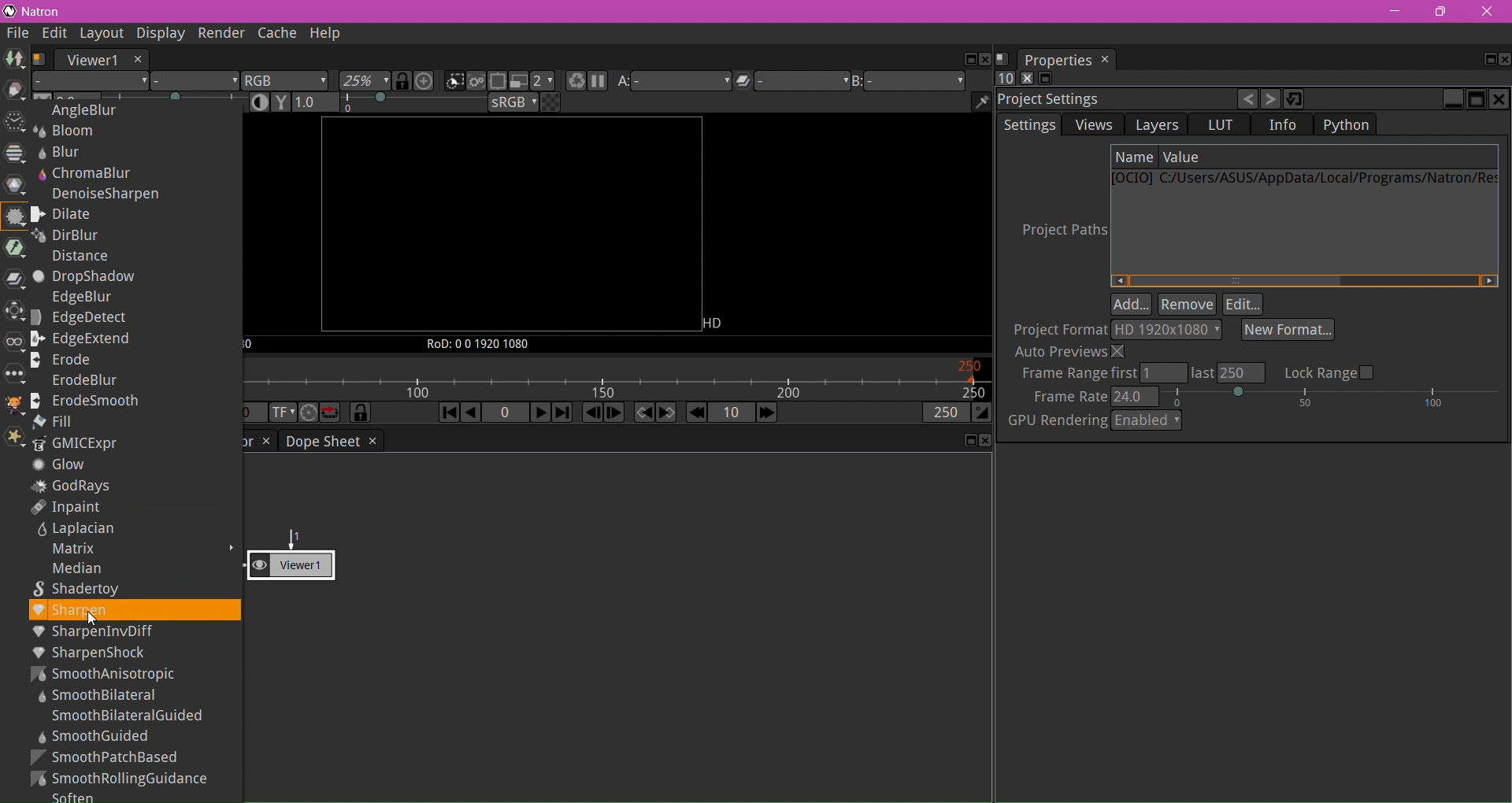 The image size is (1512, 803). Describe the element at coordinates (123, 779) in the screenshot. I see `SmoothRollingGuidance` at that location.